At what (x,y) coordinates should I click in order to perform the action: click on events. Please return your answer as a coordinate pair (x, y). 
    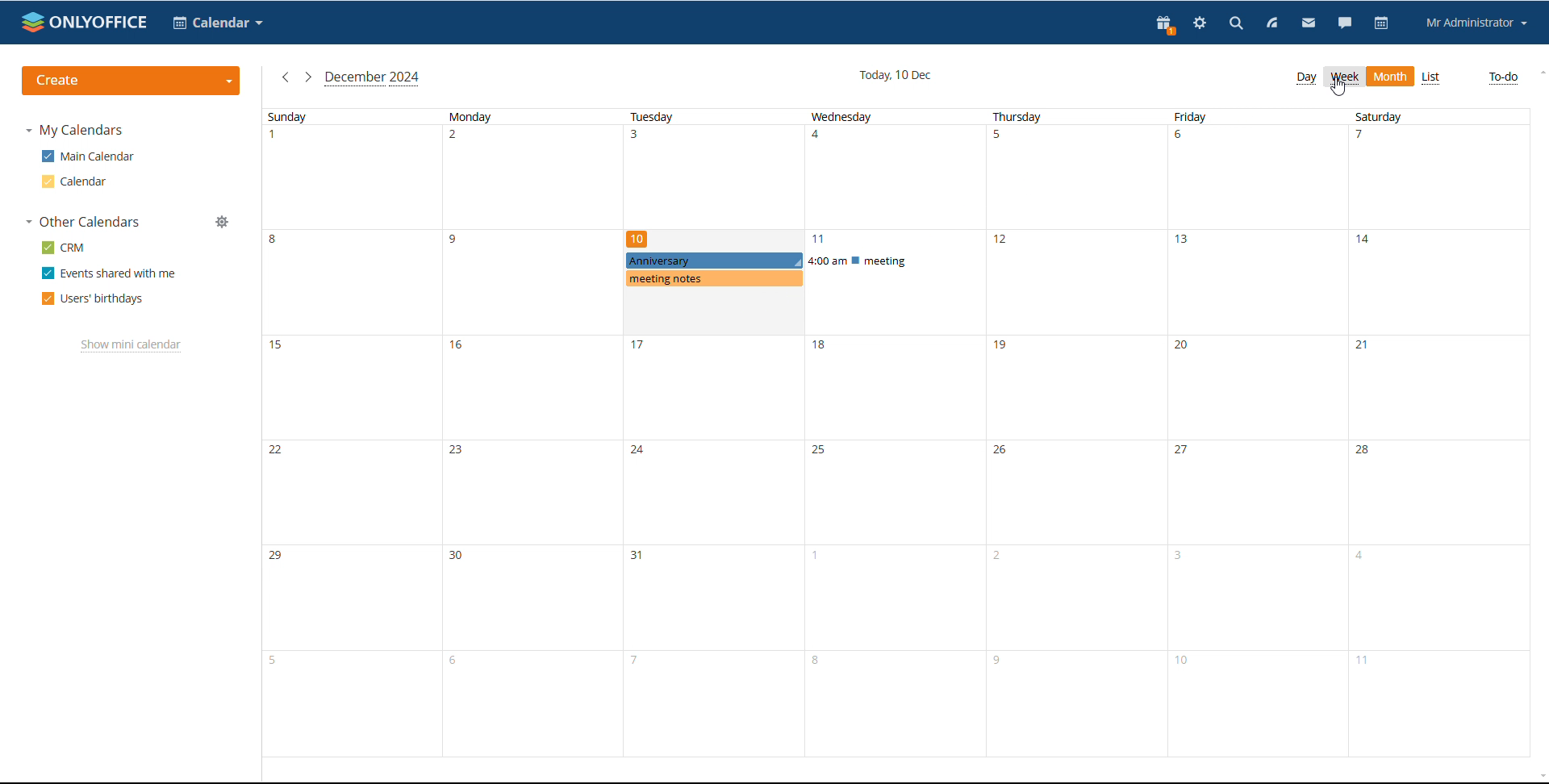
    Looking at the image, I should click on (806, 269).